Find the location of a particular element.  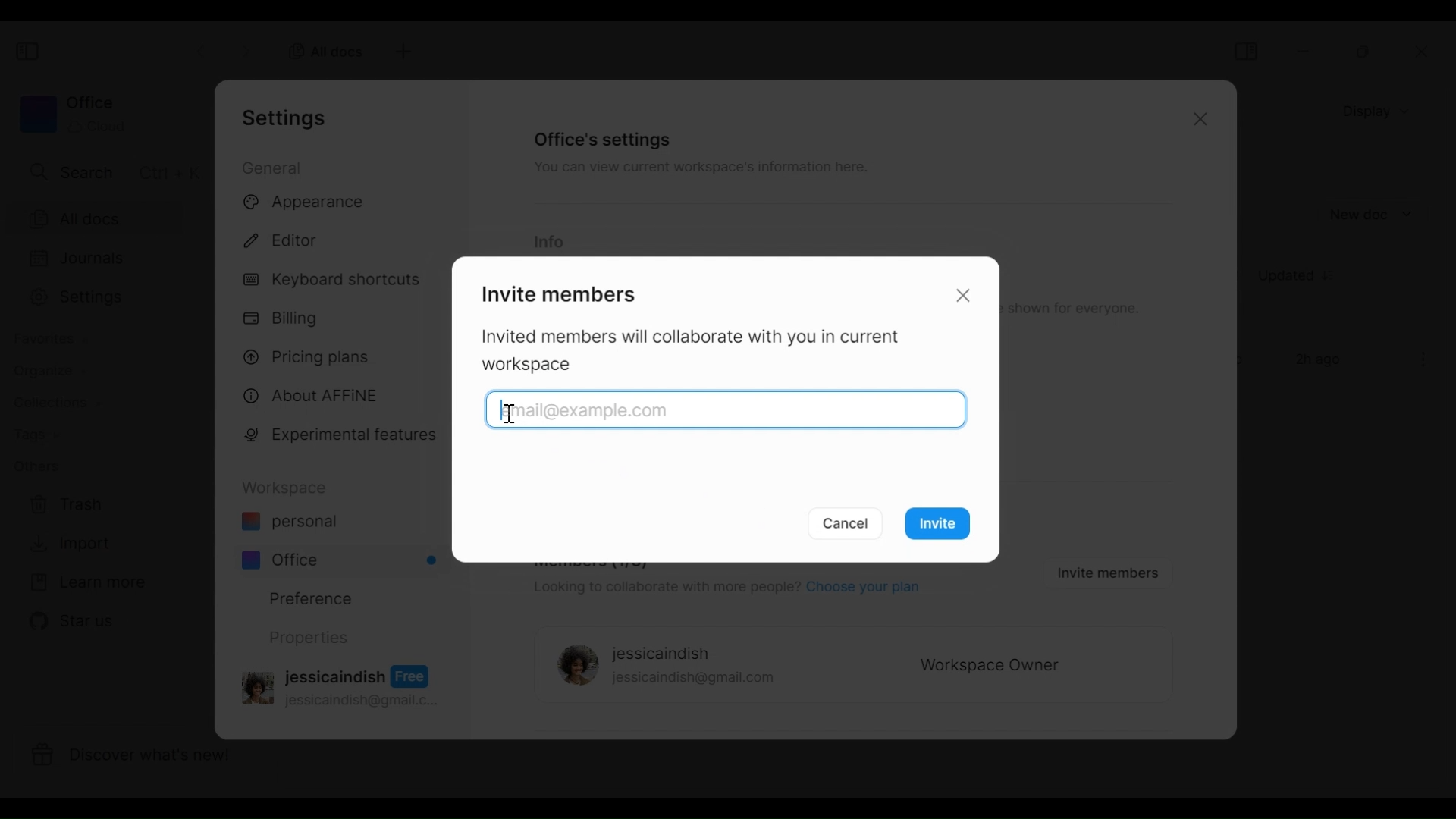

You can view current workspace's information here. is located at coordinates (698, 170).